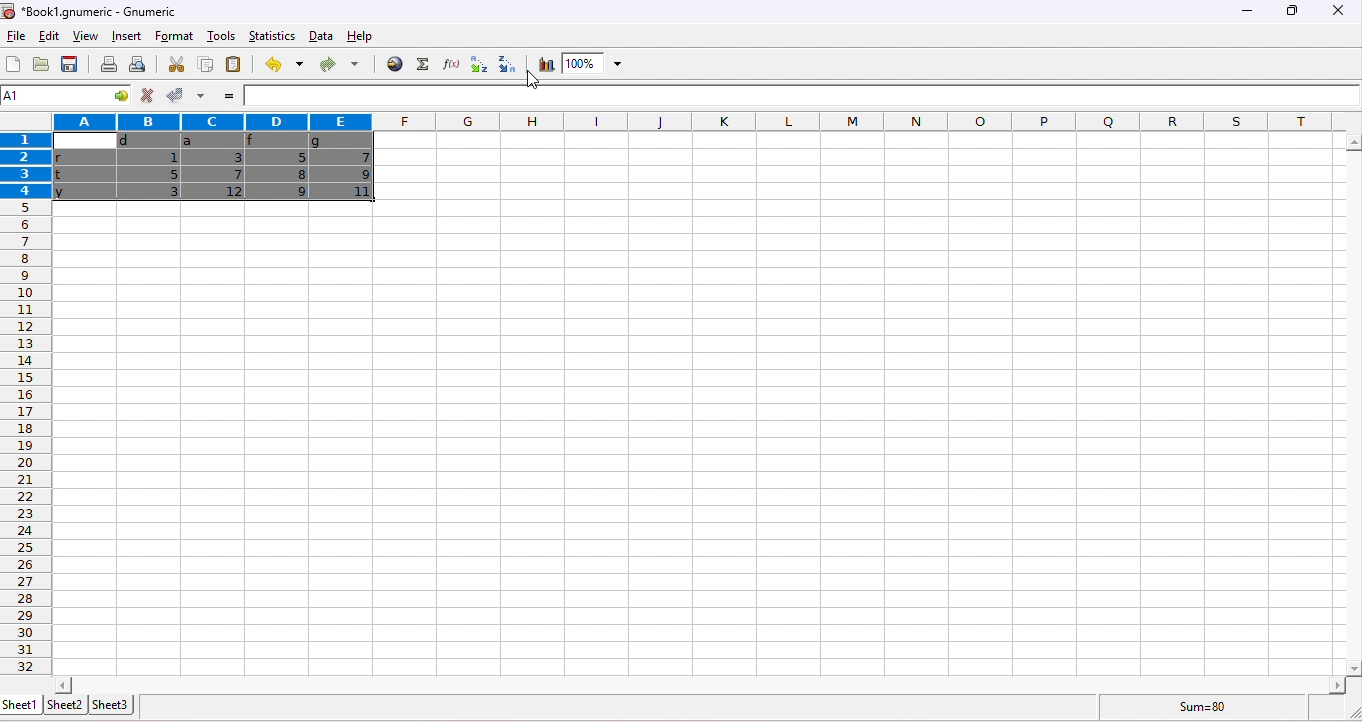 This screenshot has width=1362, height=722. Describe the element at coordinates (92, 11) in the screenshot. I see `Book1.gnumeric - Gnumeric` at that location.